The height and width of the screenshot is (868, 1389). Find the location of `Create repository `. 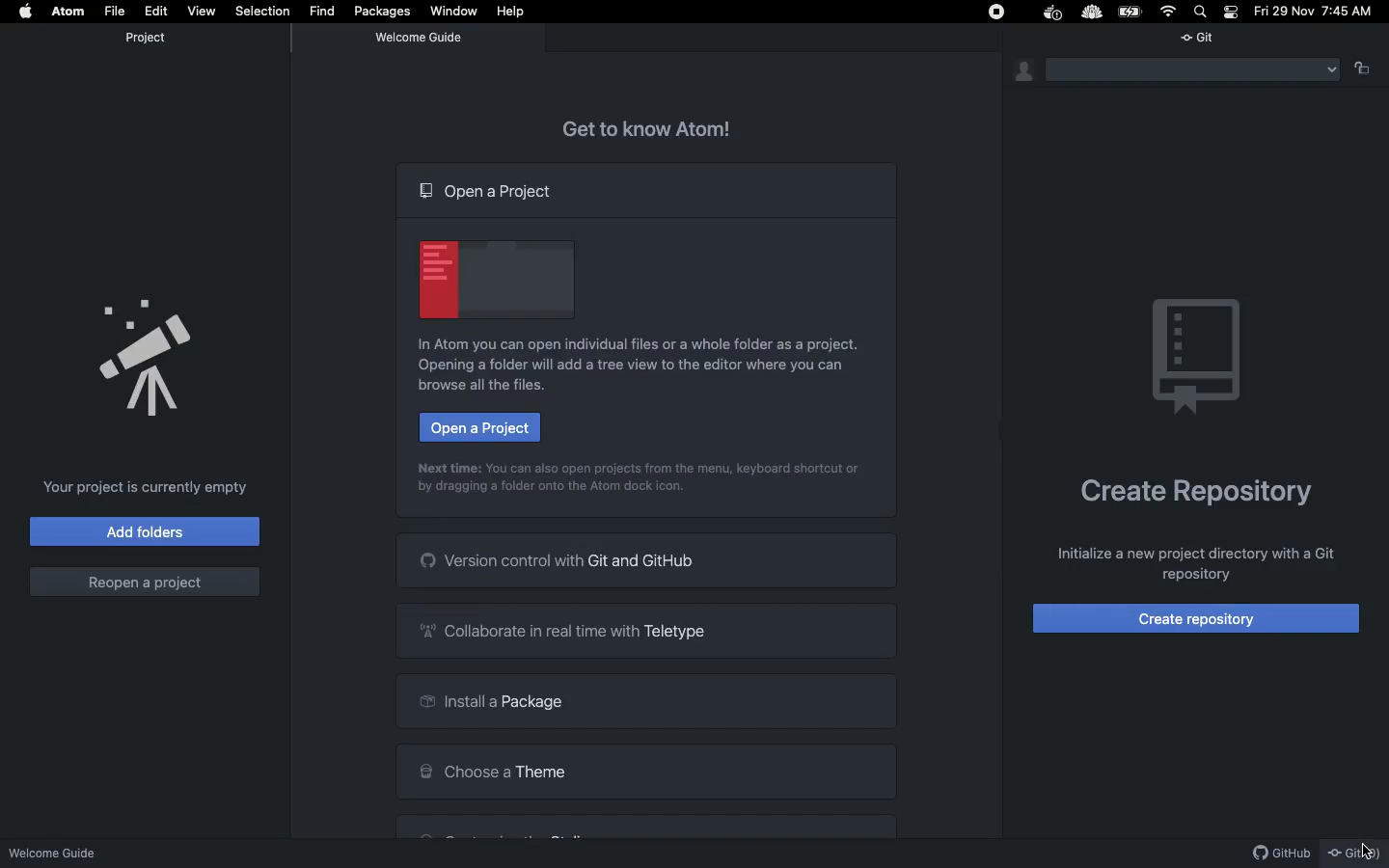

Create repository  is located at coordinates (1201, 616).